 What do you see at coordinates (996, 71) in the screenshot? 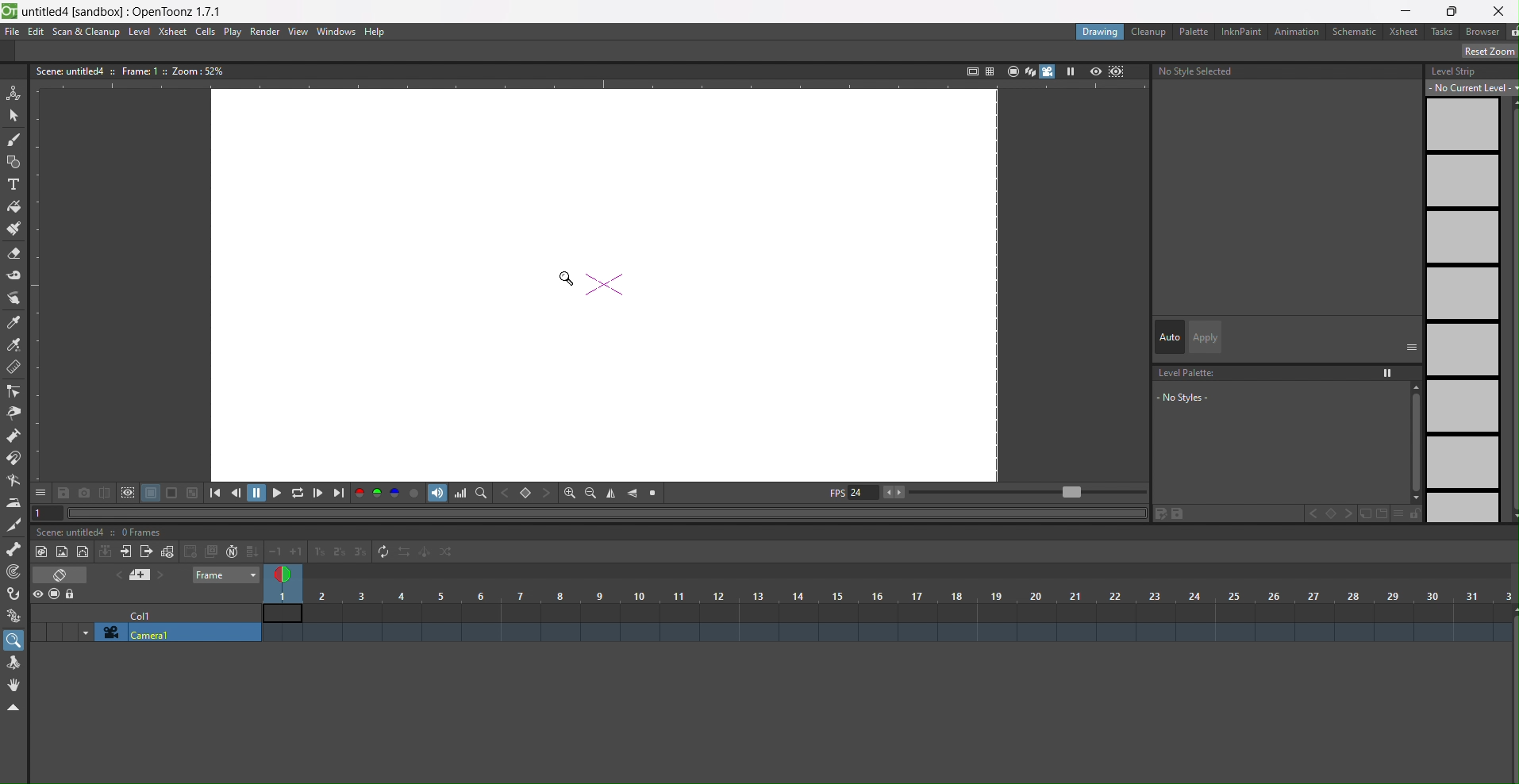
I see `icons` at bounding box center [996, 71].